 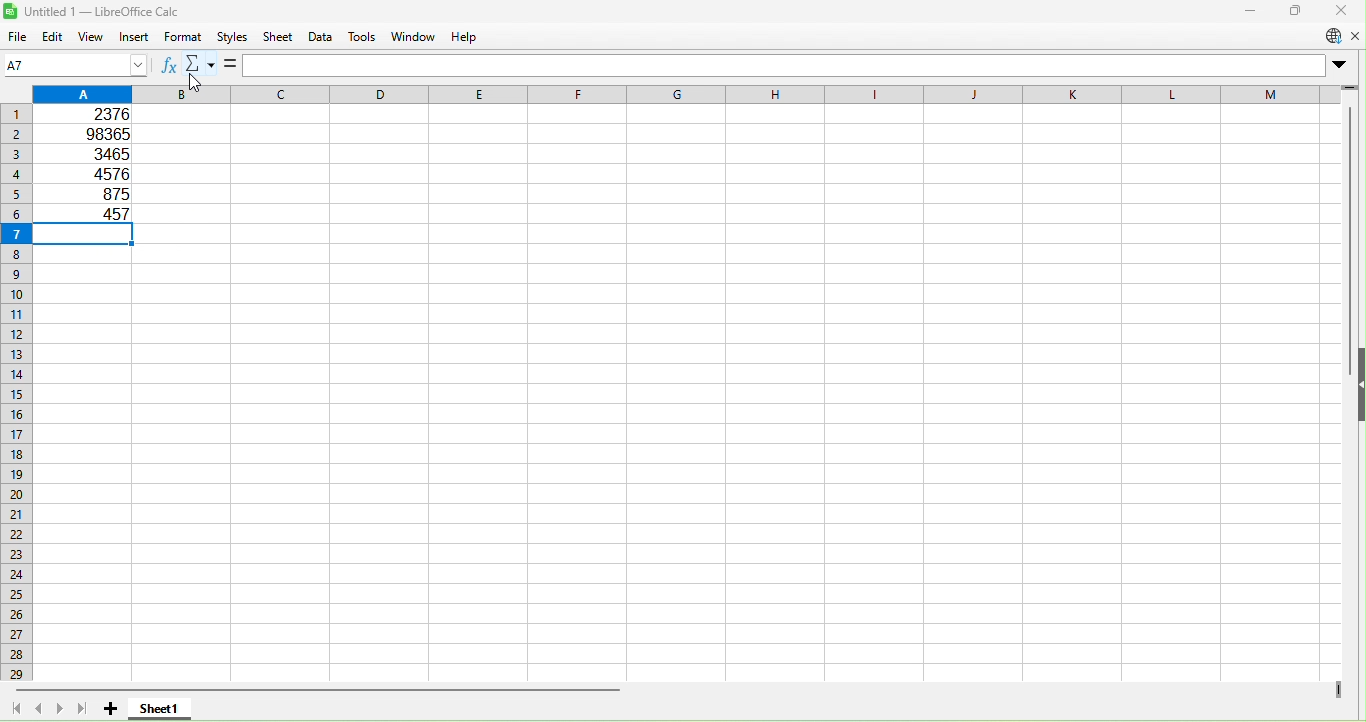 I want to click on Show, so click(x=1359, y=384).